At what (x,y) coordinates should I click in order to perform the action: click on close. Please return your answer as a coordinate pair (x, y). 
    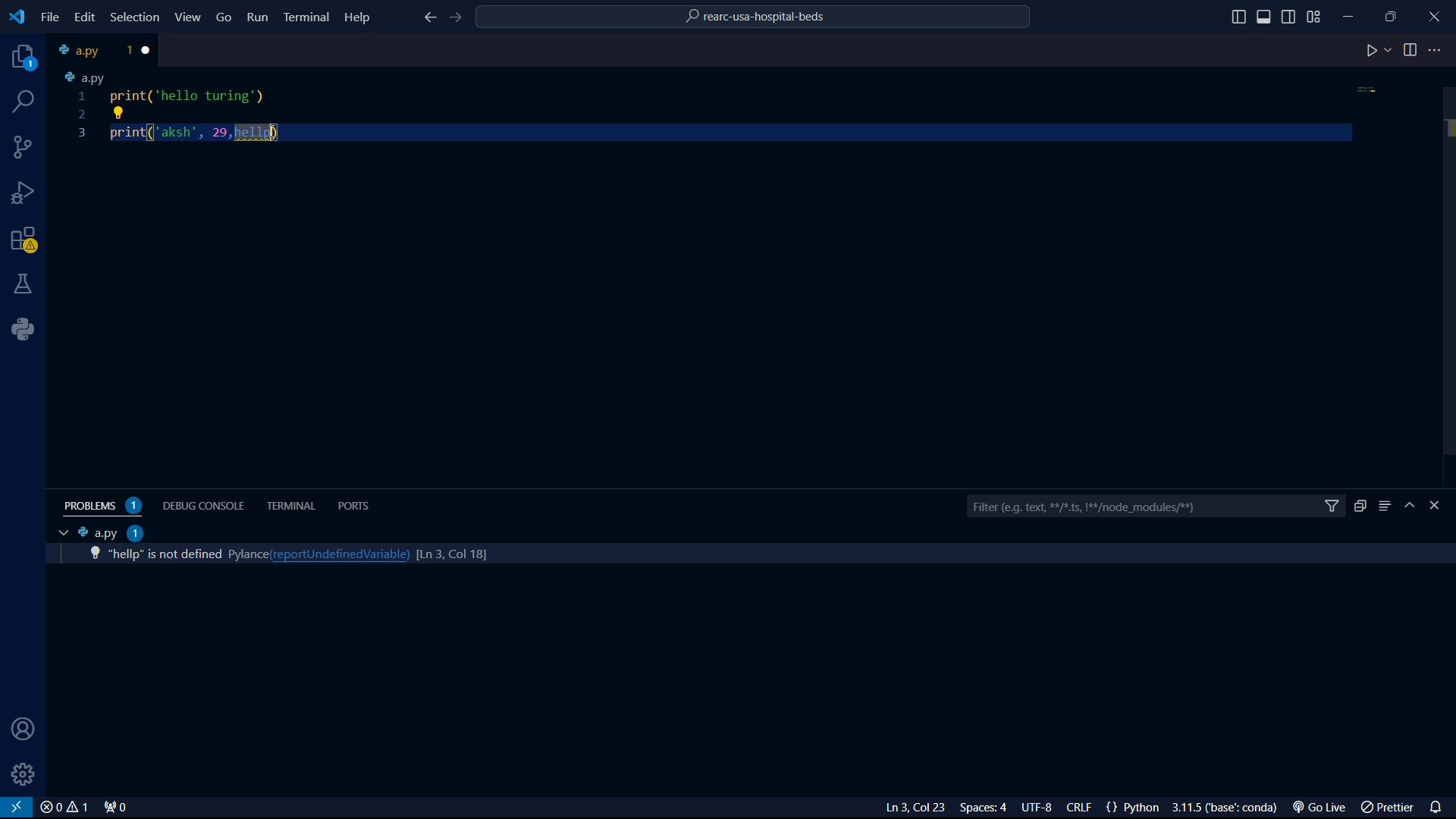
    Looking at the image, I should click on (64, 808).